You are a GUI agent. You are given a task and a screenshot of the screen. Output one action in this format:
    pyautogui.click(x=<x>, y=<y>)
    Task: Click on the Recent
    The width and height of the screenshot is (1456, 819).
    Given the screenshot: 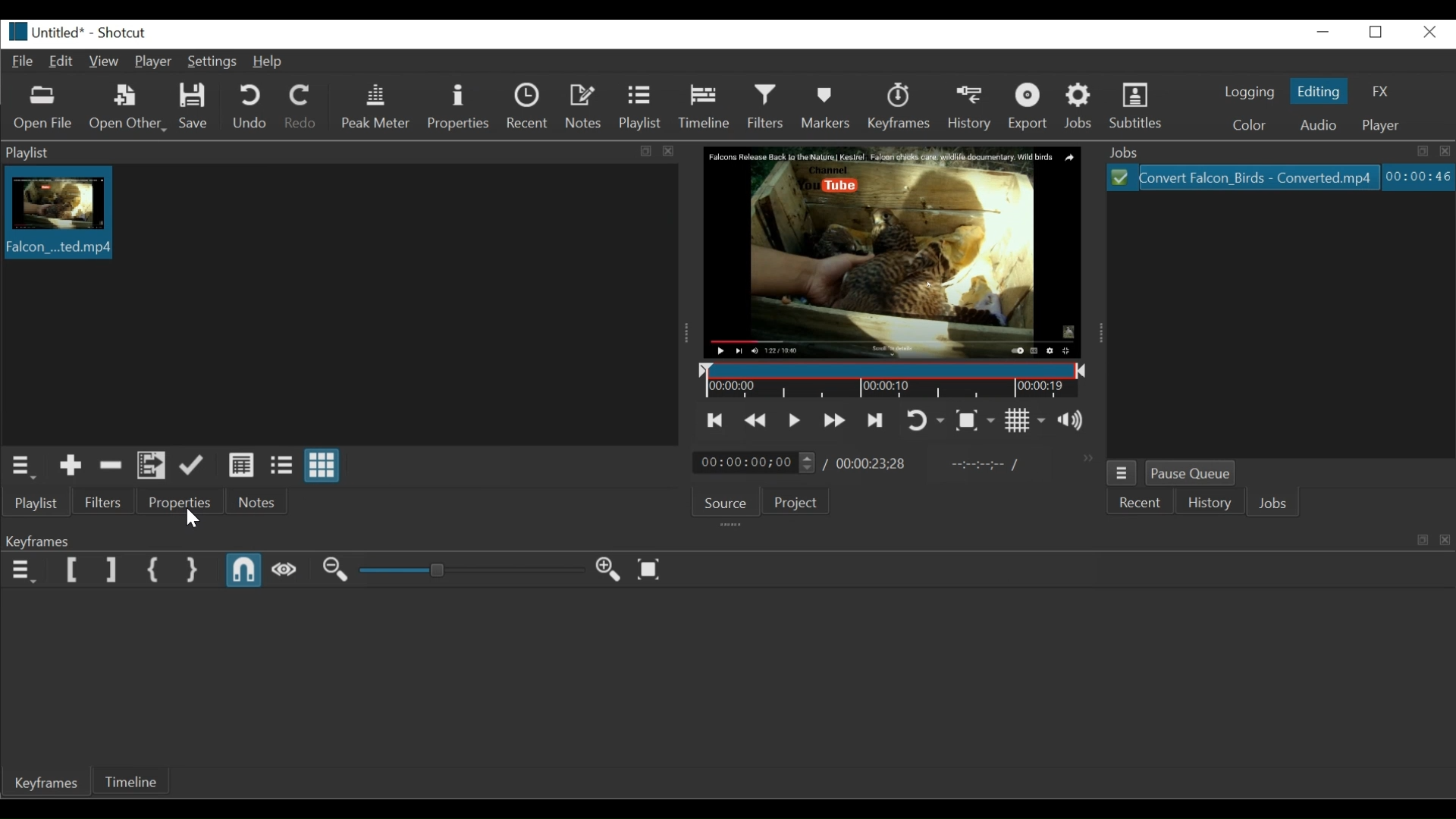 What is the action you would take?
    pyautogui.click(x=1141, y=504)
    